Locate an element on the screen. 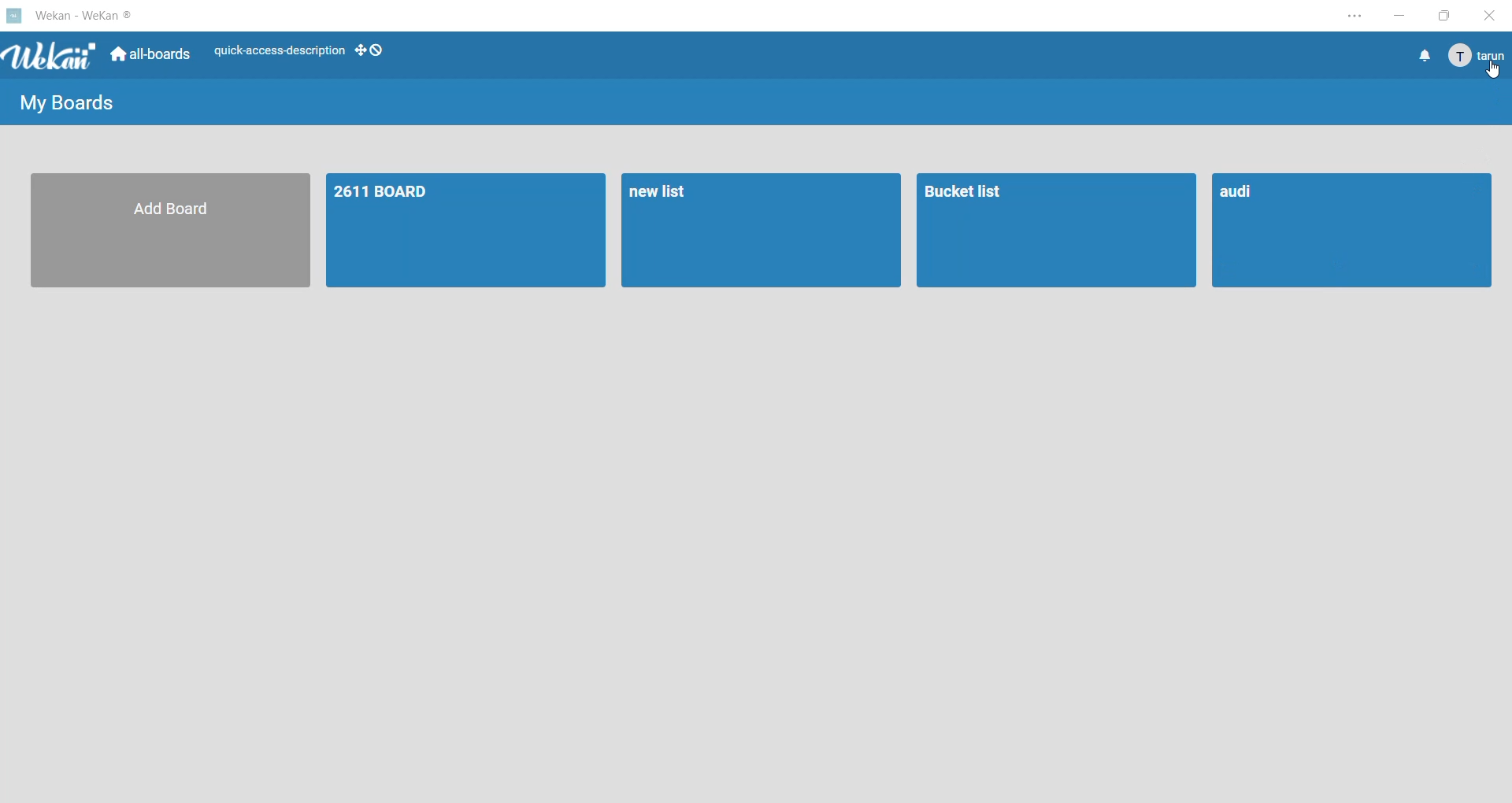 The height and width of the screenshot is (803, 1512). wekan is located at coordinates (51, 57).